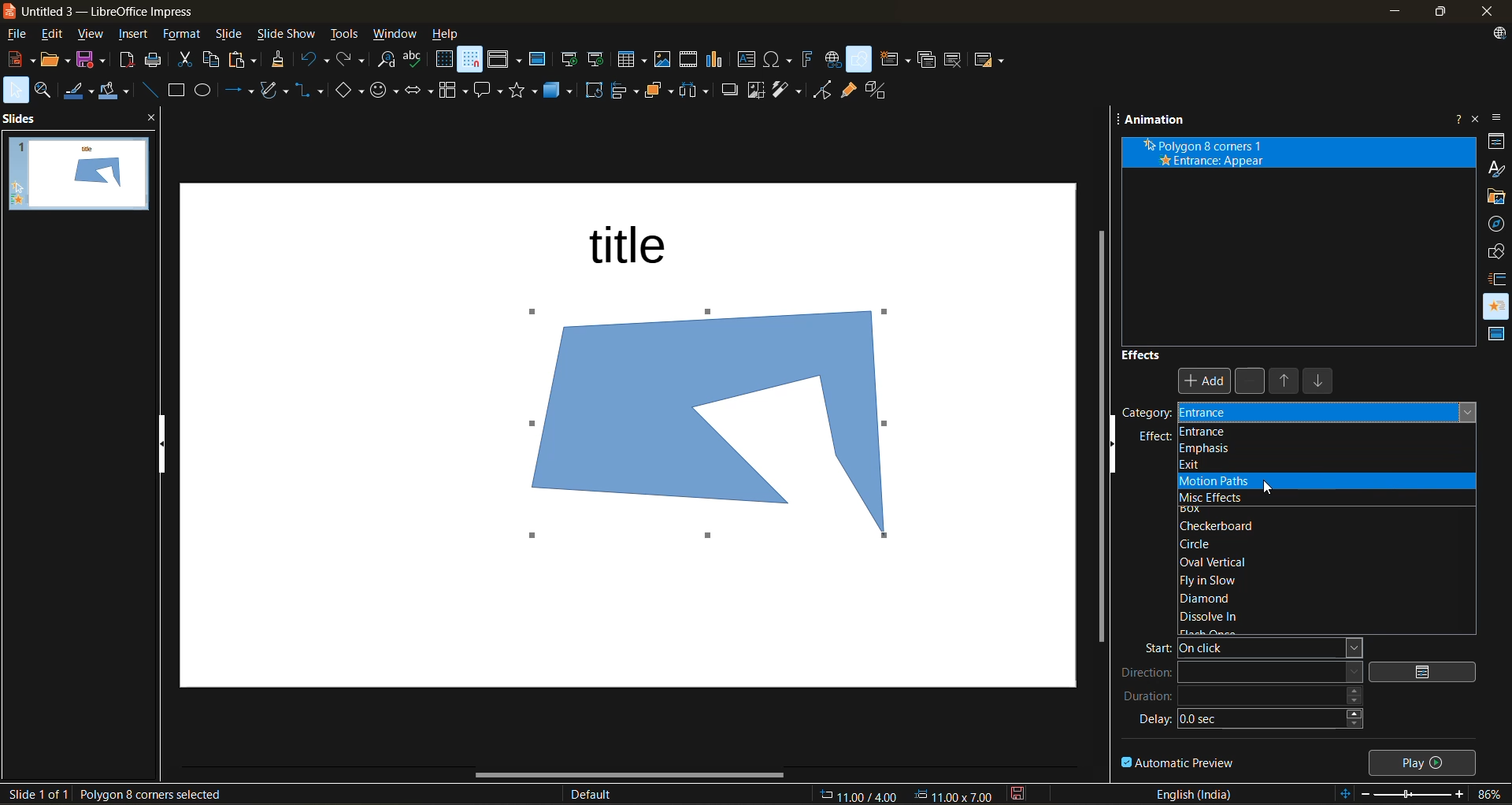  Describe the element at coordinates (231, 36) in the screenshot. I see `slide` at that location.